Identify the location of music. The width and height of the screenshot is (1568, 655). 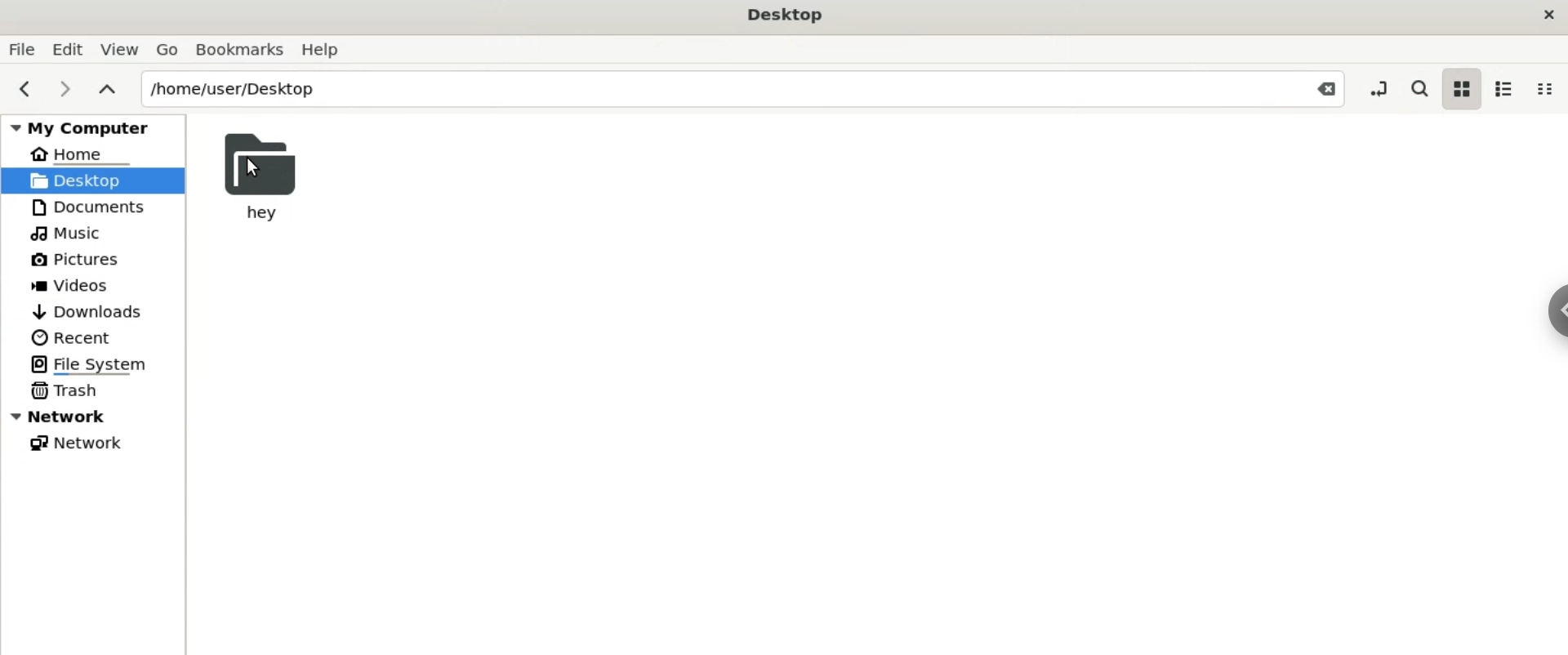
(69, 233).